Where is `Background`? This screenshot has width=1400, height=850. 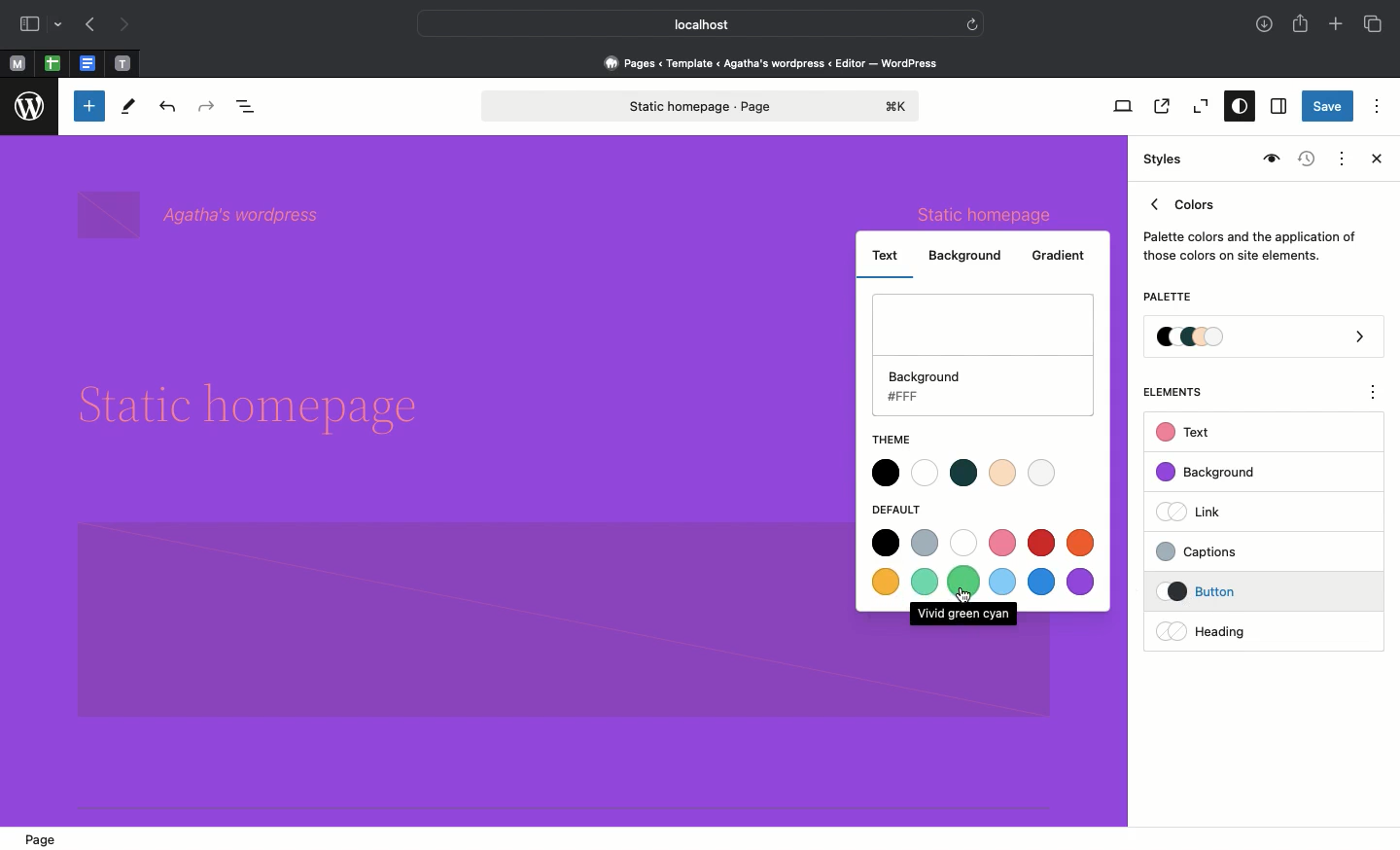 Background is located at coordinates (970, 256).